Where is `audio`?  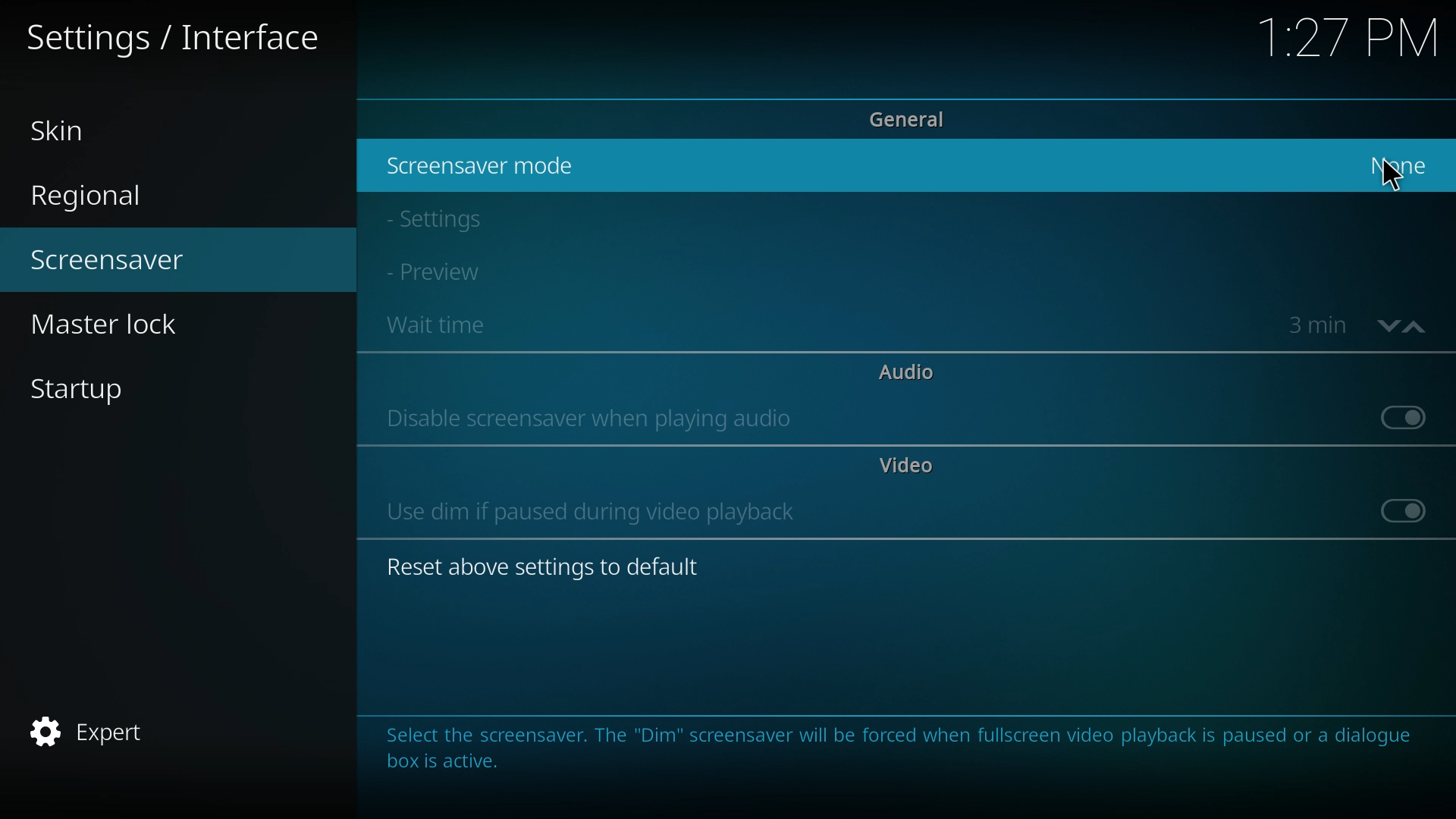
audio is located at coordinates (906, 371).